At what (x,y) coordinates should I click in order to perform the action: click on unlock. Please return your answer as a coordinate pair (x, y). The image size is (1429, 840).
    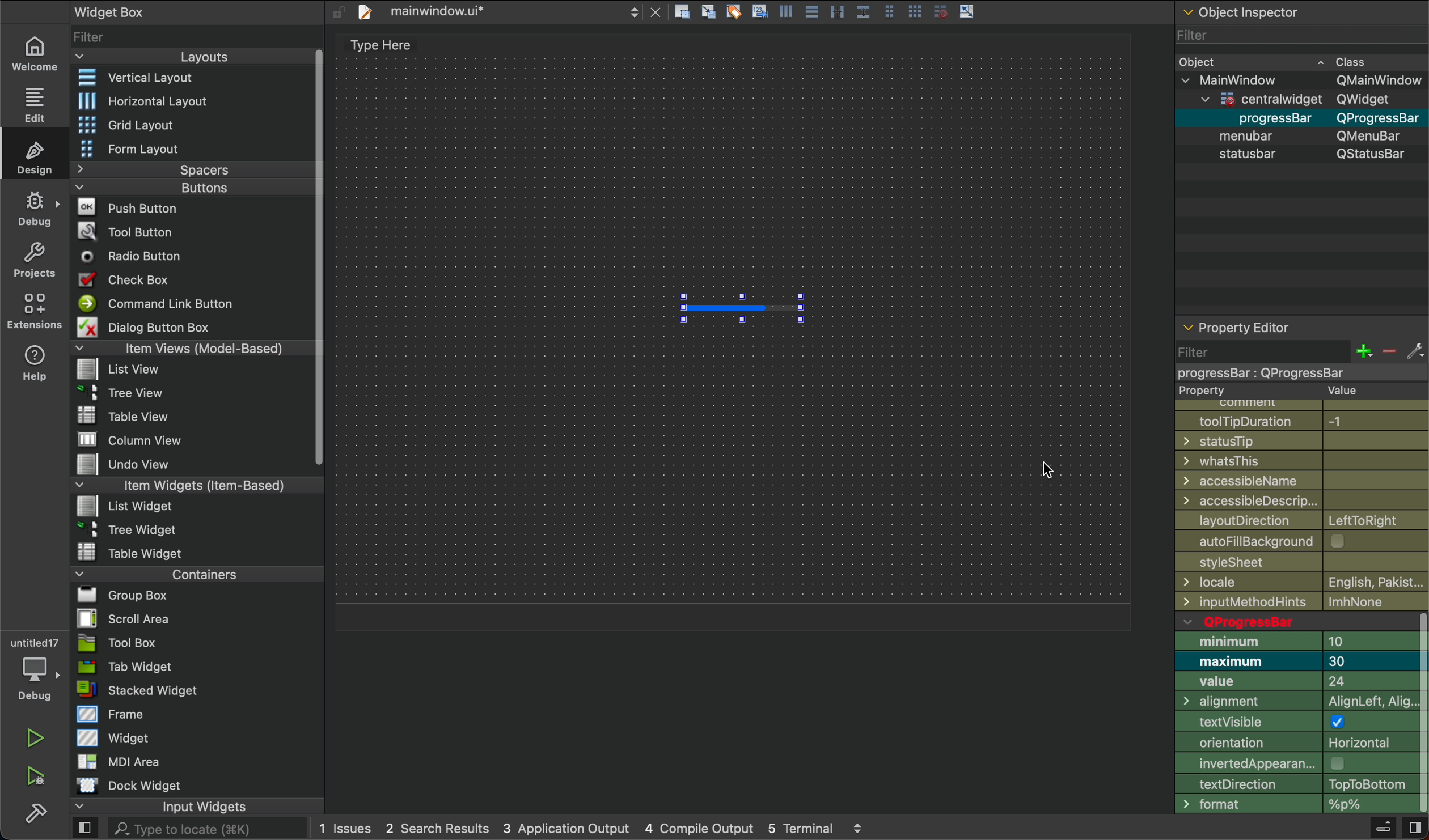
    Looking at the image, I should click on (338, 12).